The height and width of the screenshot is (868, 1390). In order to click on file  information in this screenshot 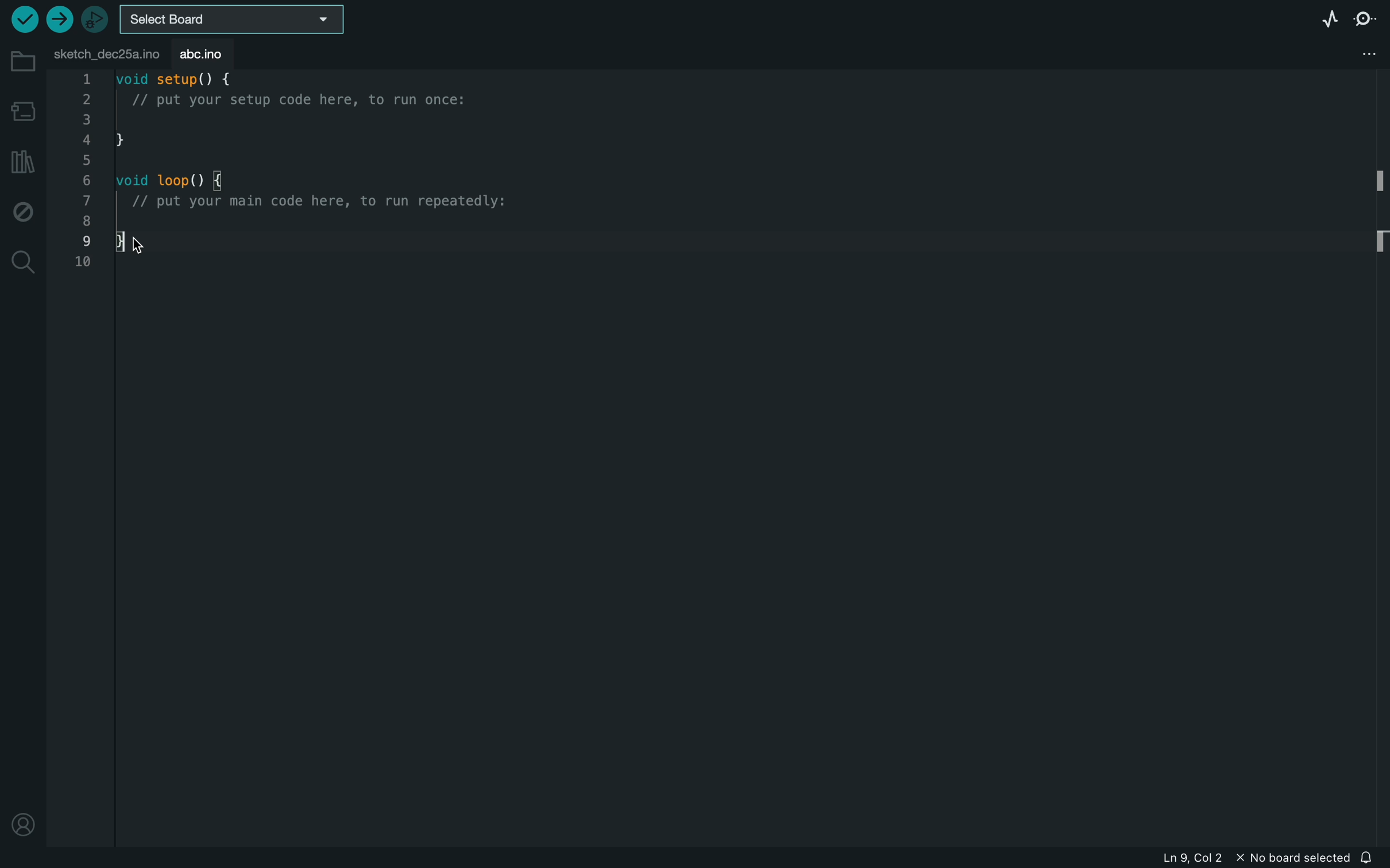, I will do `click(1244, 858)`.